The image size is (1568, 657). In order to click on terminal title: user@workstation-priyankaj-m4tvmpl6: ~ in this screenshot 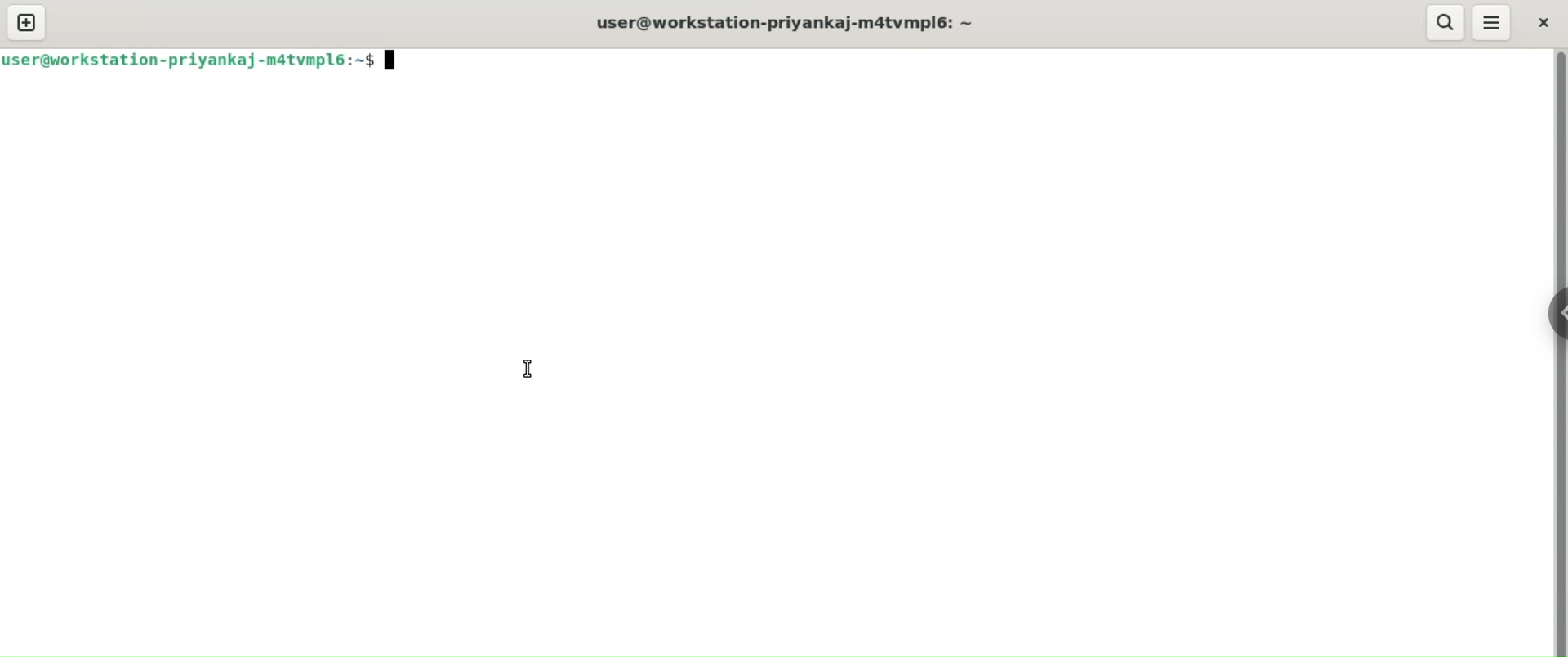, I will do `click(789, 25)`.